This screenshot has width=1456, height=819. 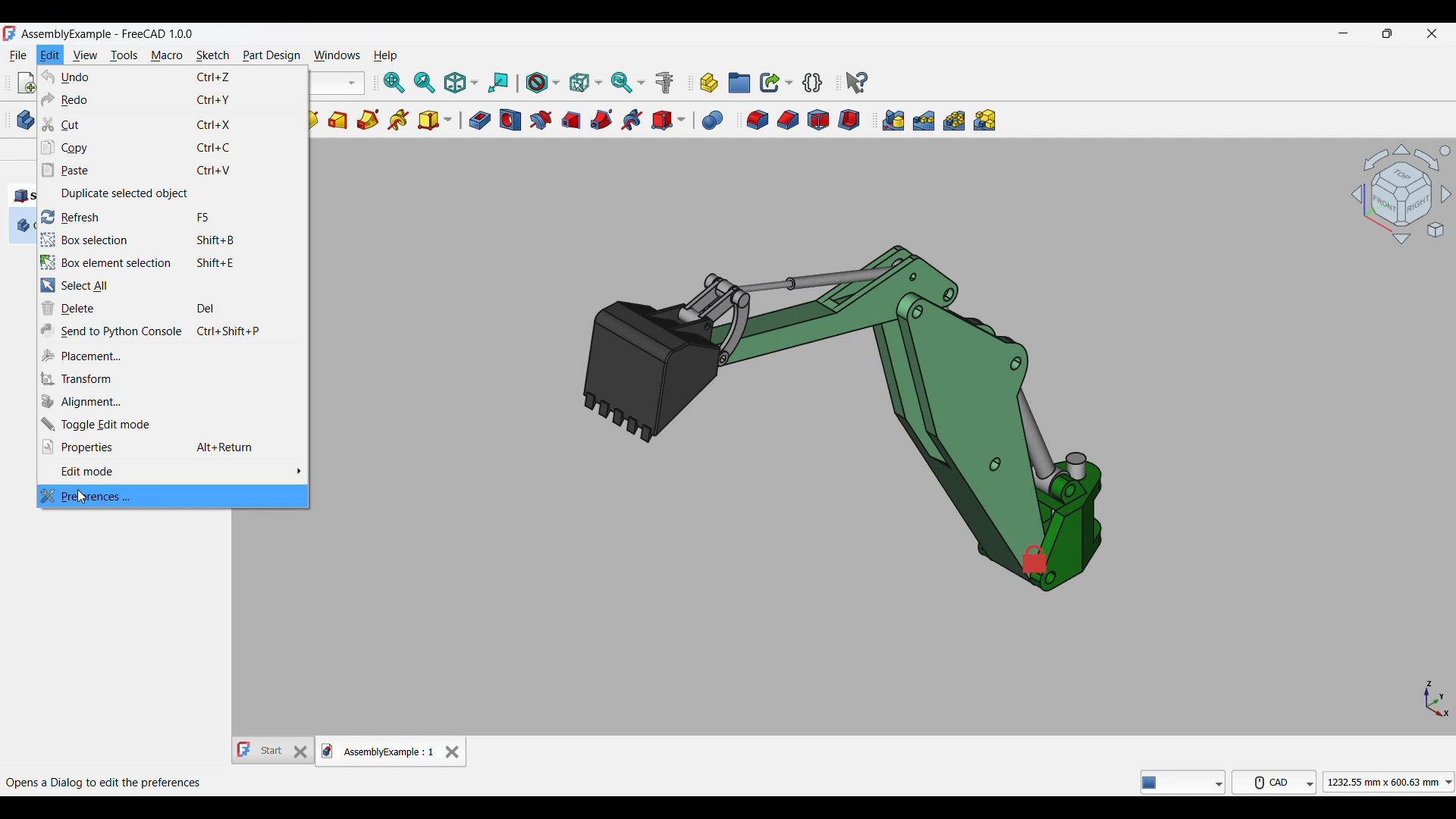 I want to click on Fillet, so click(x=758, y=121).